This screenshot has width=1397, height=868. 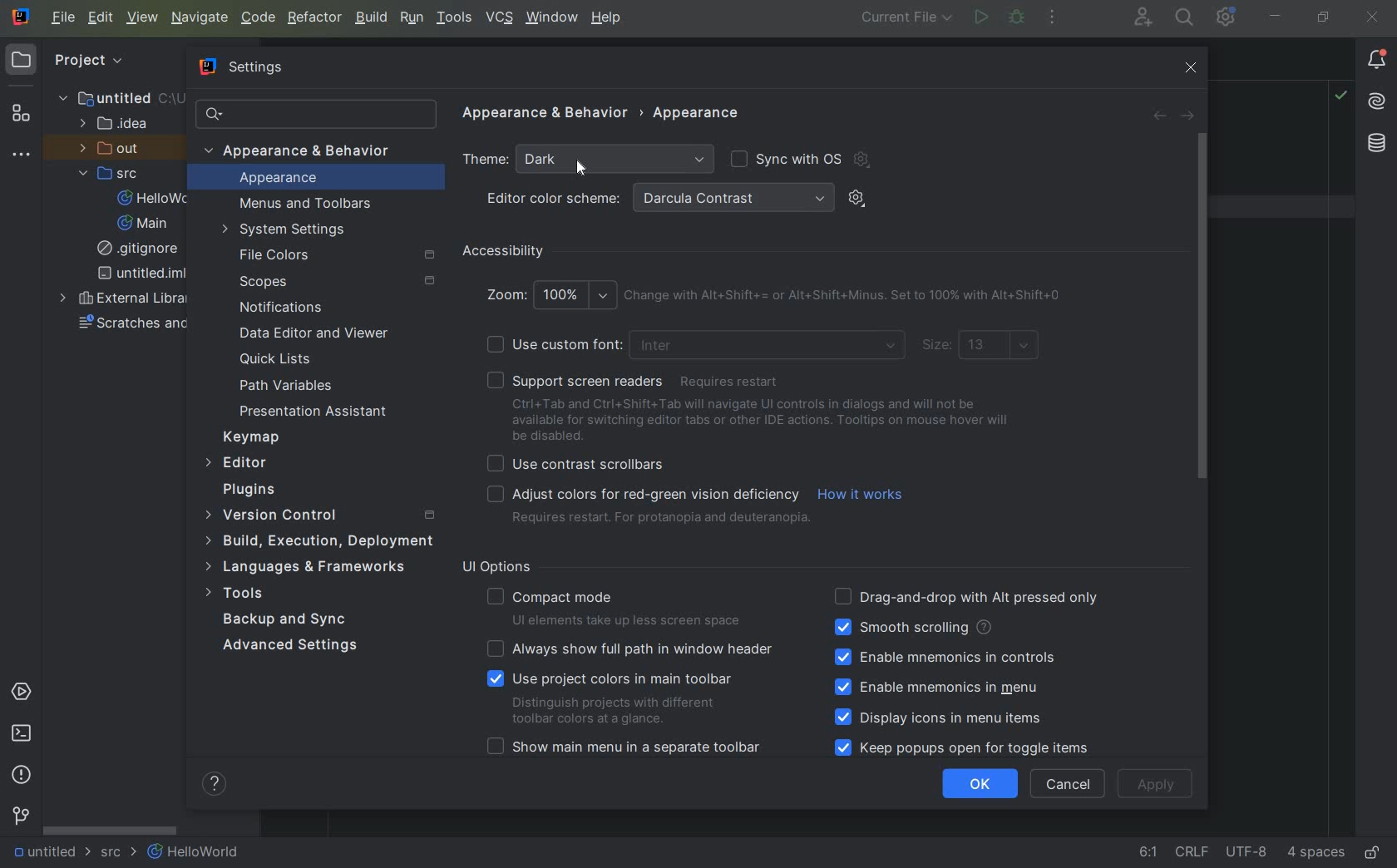 What do you see at coordinates (143, 19) in the screenshot?
I see `VIEW` at bounding box center [143, 19].